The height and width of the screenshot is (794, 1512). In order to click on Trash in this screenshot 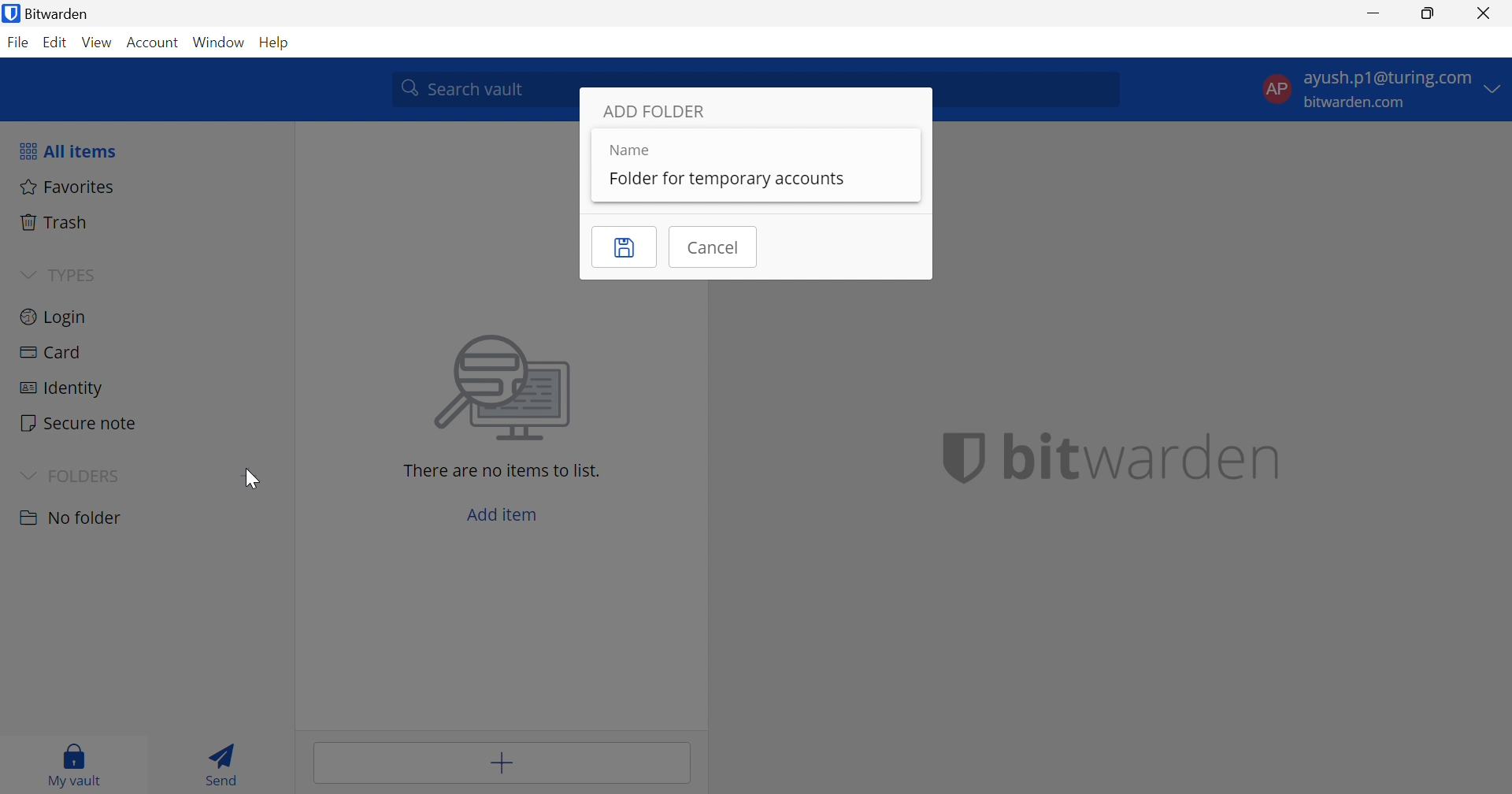, I will do `click(55, 222)`.